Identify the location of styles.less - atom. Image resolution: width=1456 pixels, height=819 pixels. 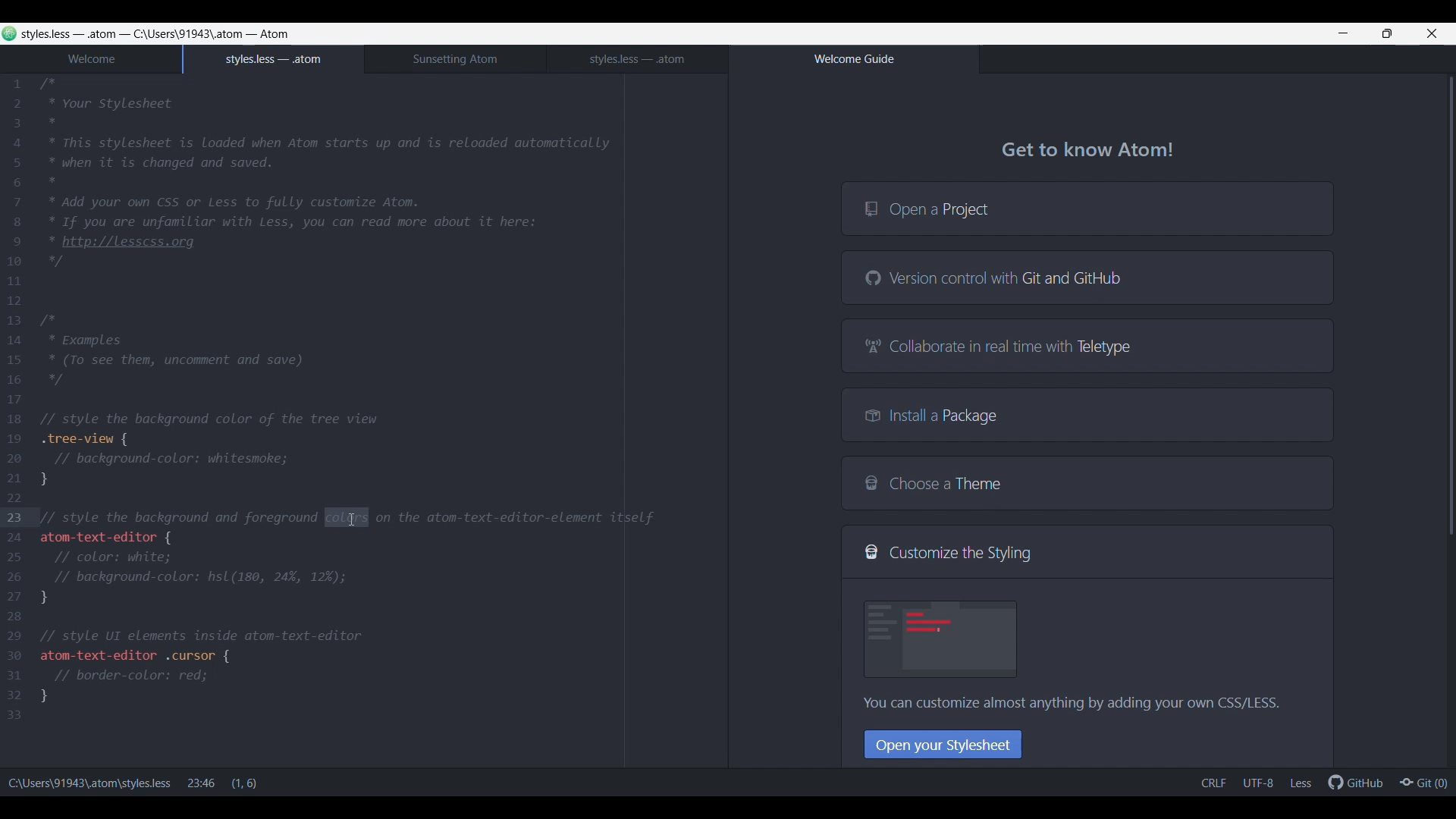
(74, 33).